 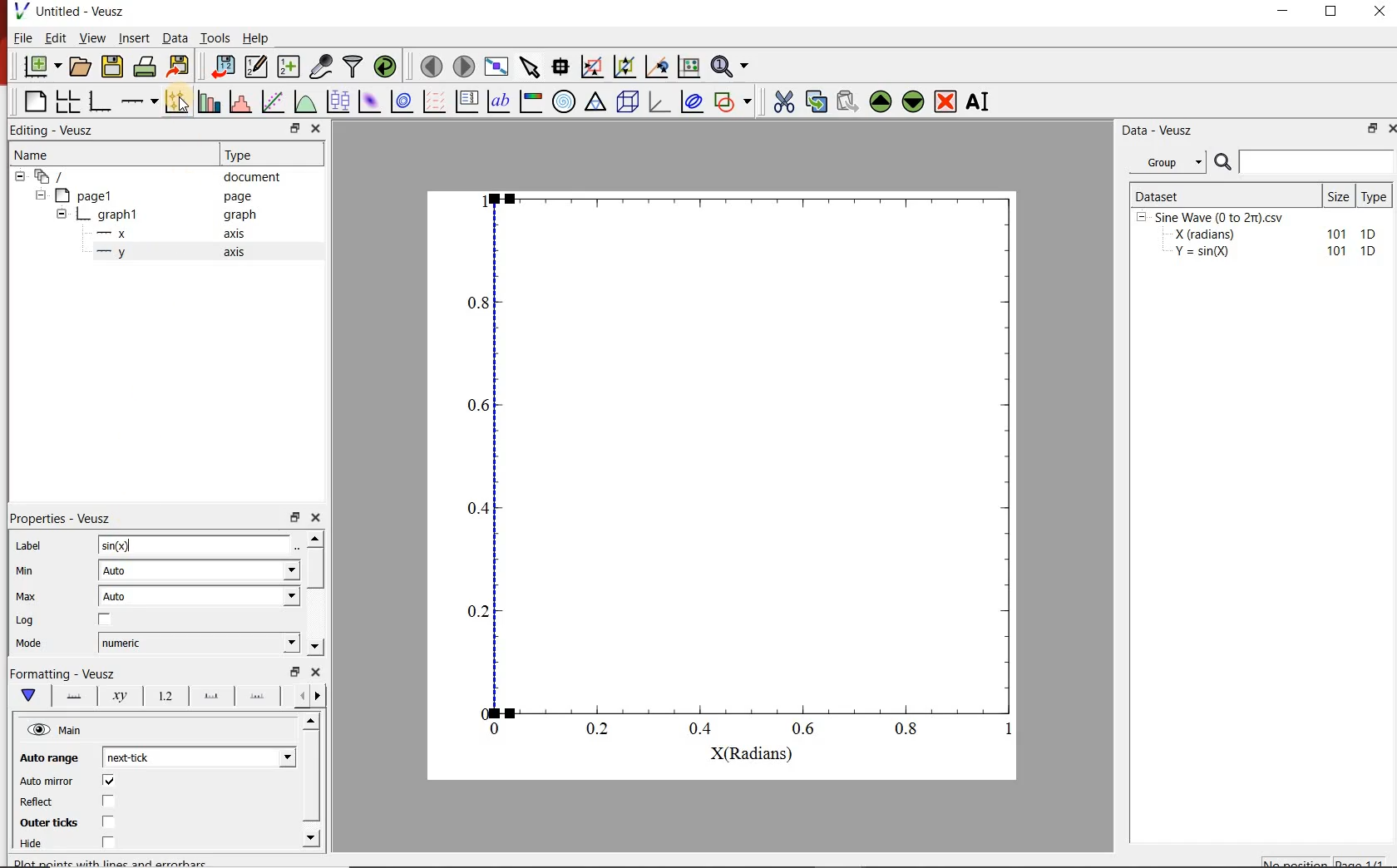 I want to click on Insert, so click(x=135, y=37).